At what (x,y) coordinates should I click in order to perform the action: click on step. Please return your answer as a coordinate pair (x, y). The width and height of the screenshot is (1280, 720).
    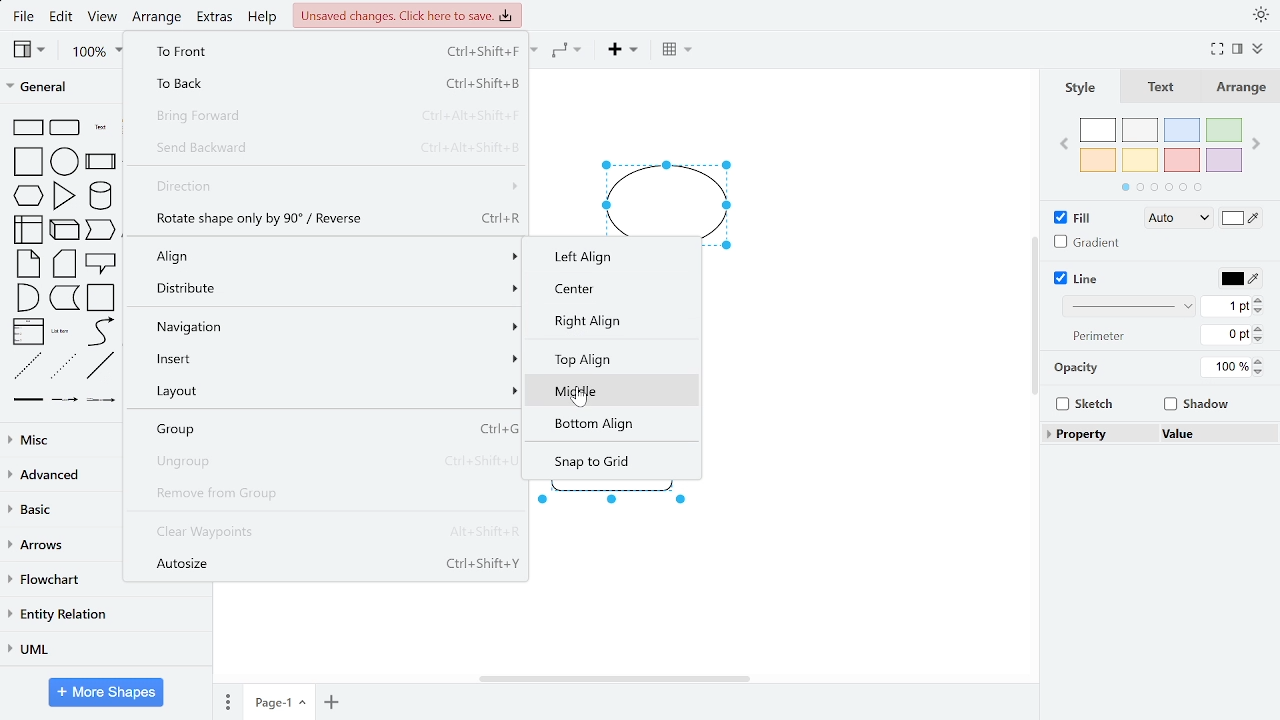
    Looking at the image, I should click on (100, 231).